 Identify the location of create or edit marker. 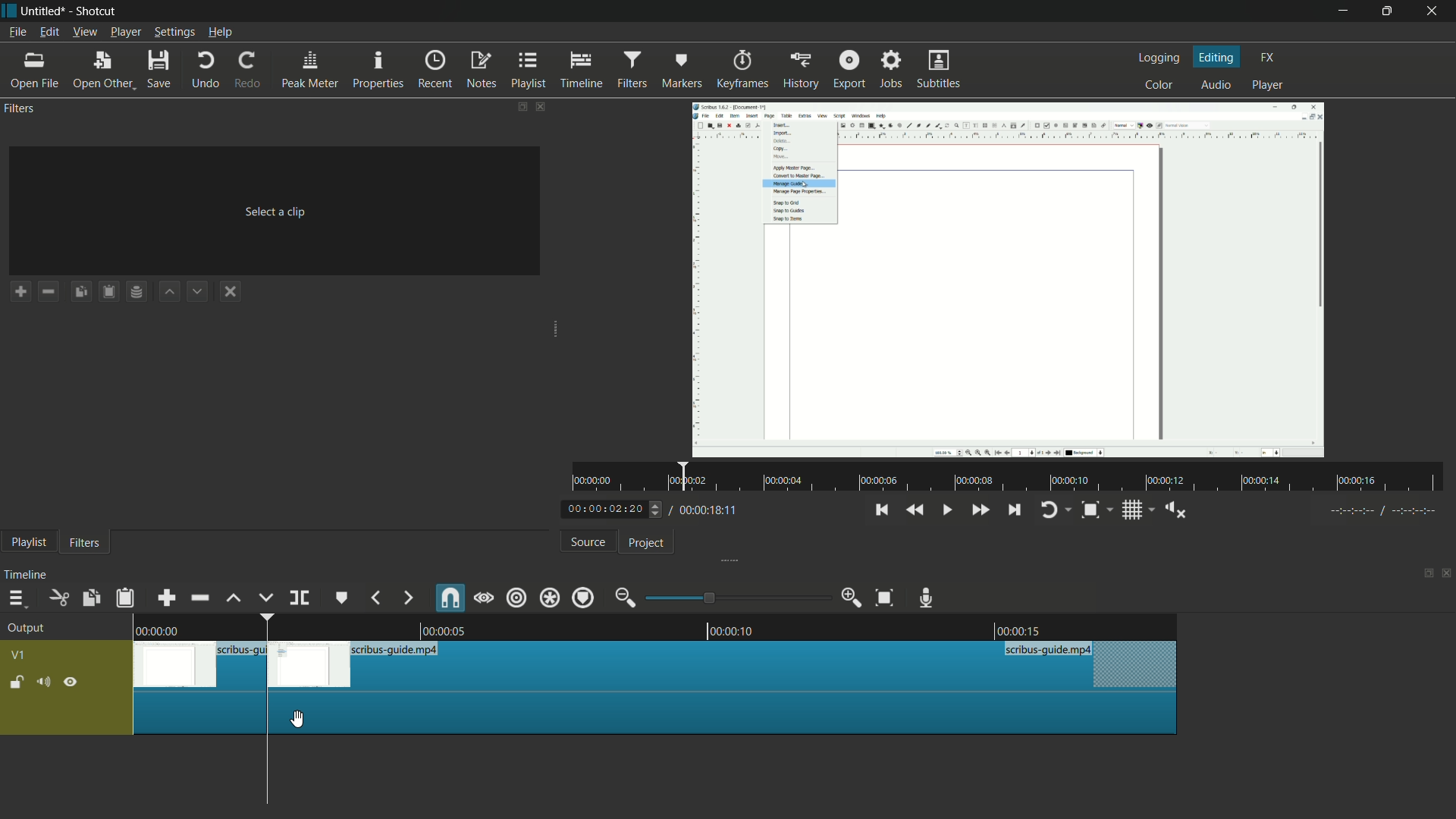
(344, 597).